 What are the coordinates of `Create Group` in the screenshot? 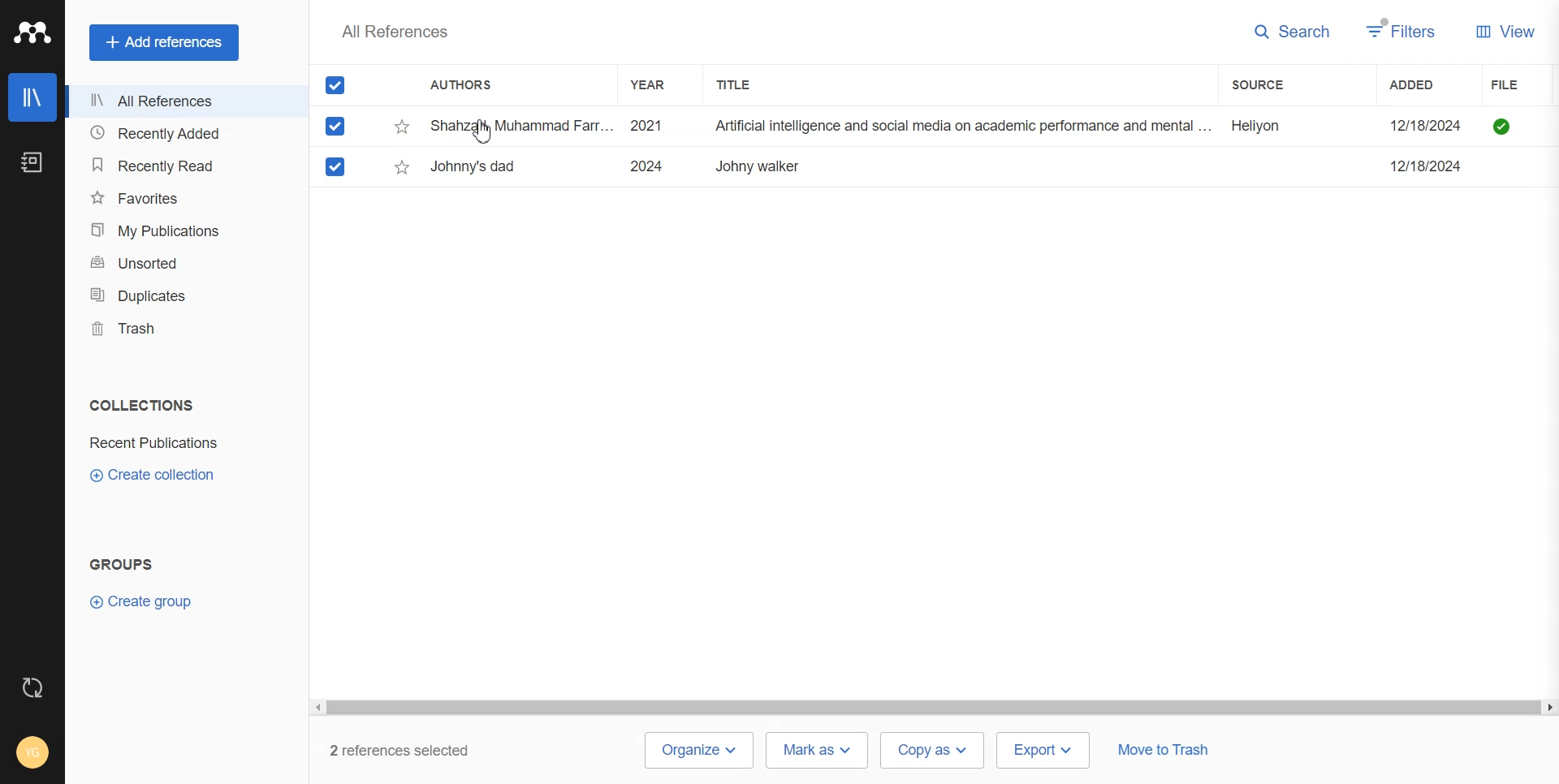 It's located at (149, 601).